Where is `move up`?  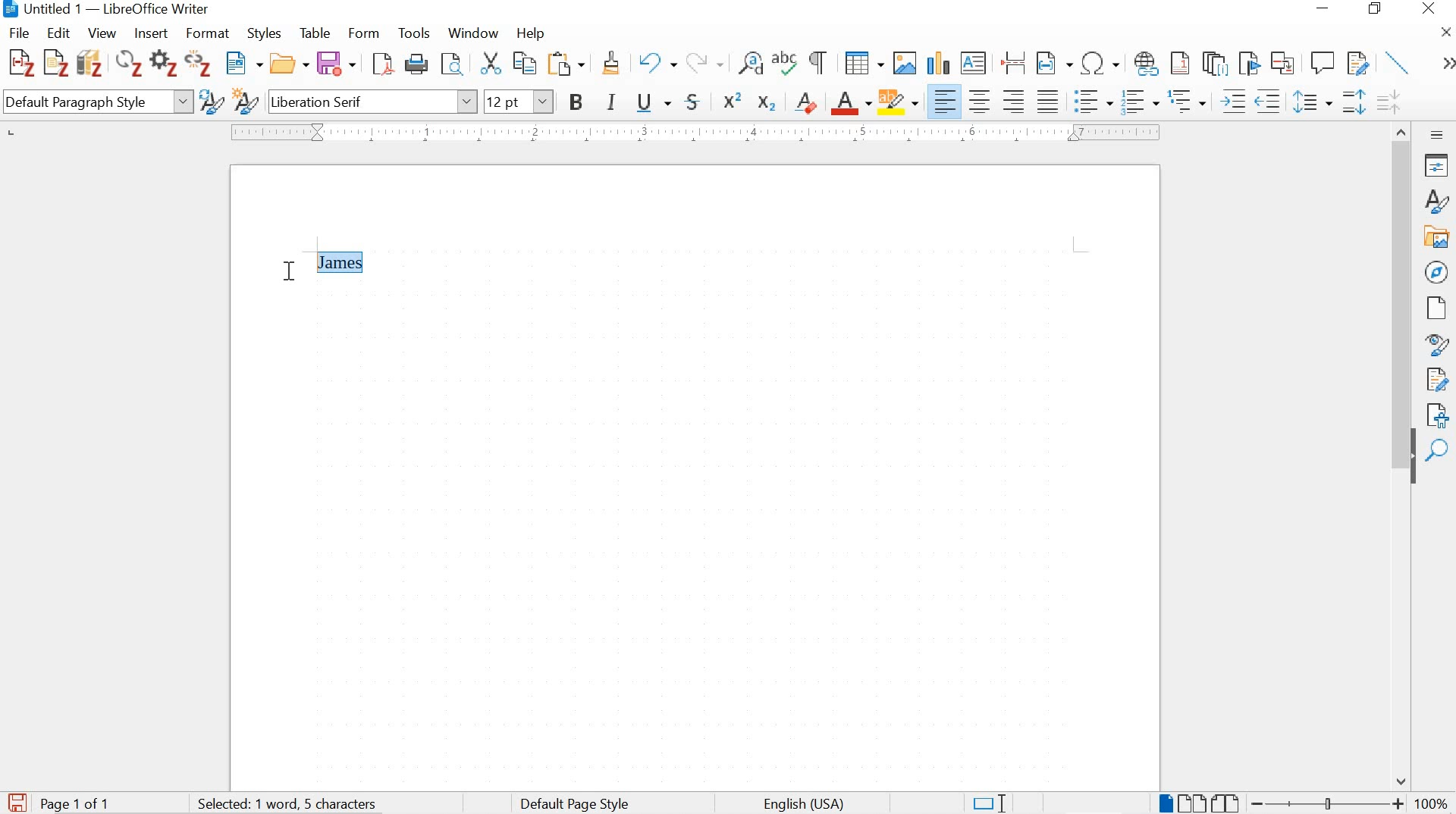
move up is located at coordinates (1403, 129).